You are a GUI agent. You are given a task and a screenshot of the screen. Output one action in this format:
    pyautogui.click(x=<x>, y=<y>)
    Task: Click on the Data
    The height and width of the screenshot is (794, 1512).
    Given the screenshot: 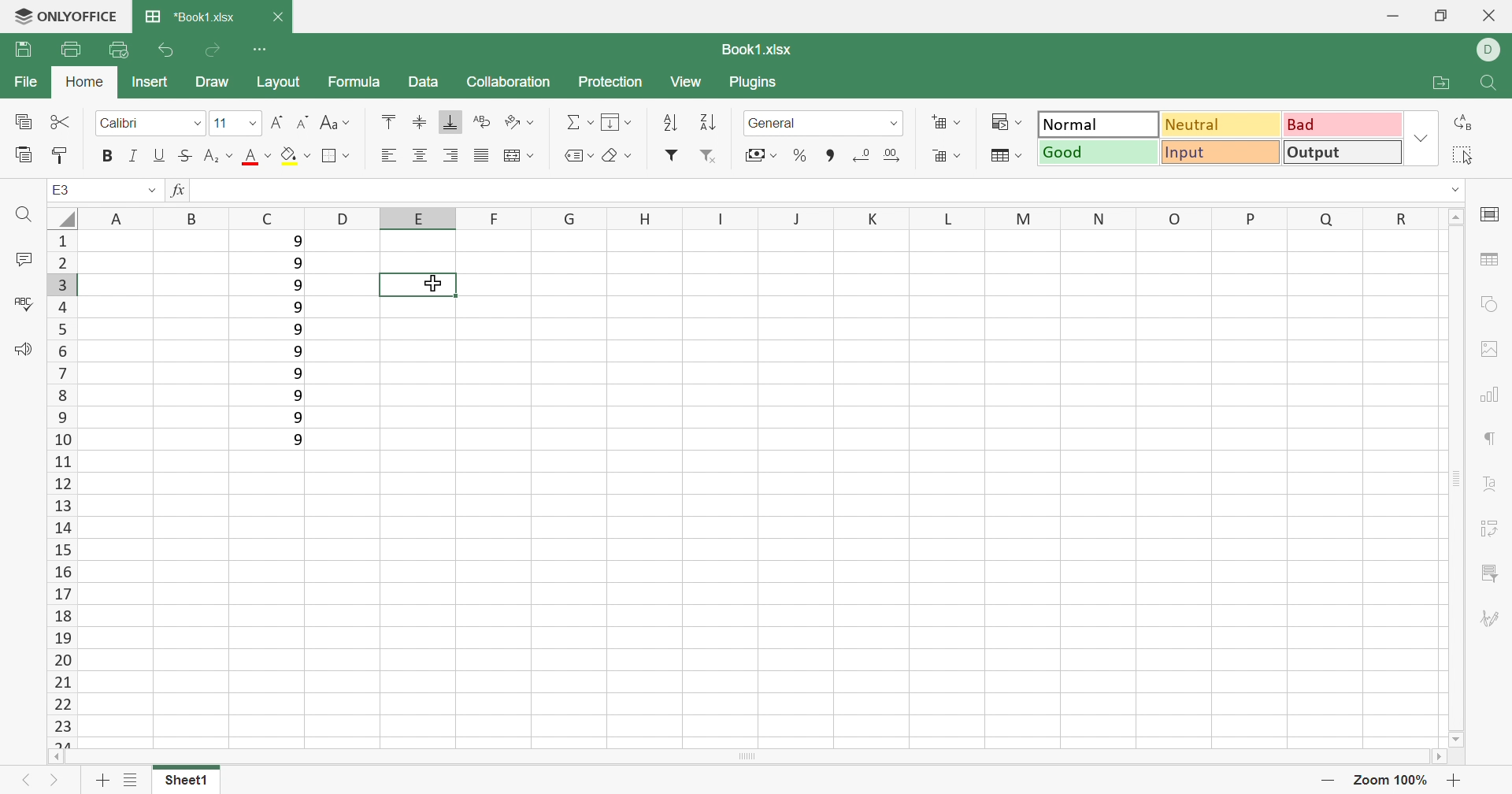 What is the action you would take?
    pyautogui.click(x=423, y=80)
    